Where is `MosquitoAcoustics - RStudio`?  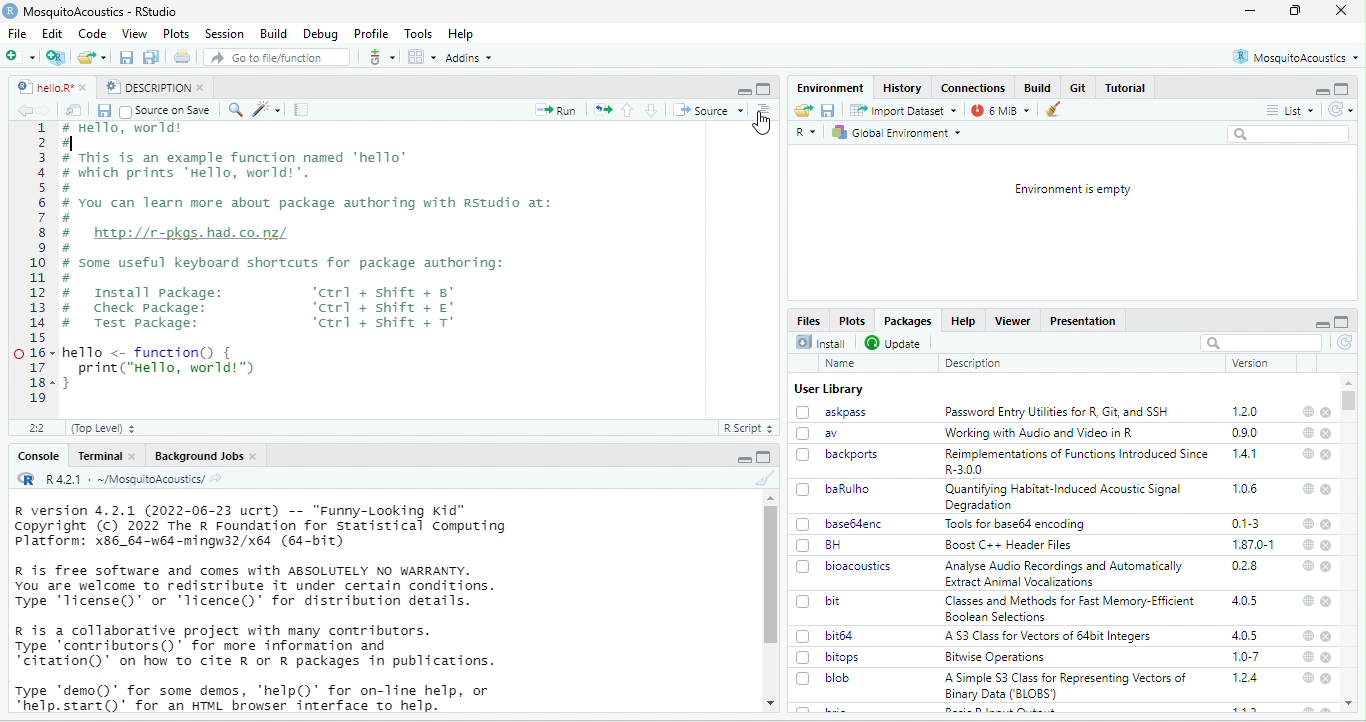 MosquitoAcoustics - RStudio is located at coordinates (101, 12).